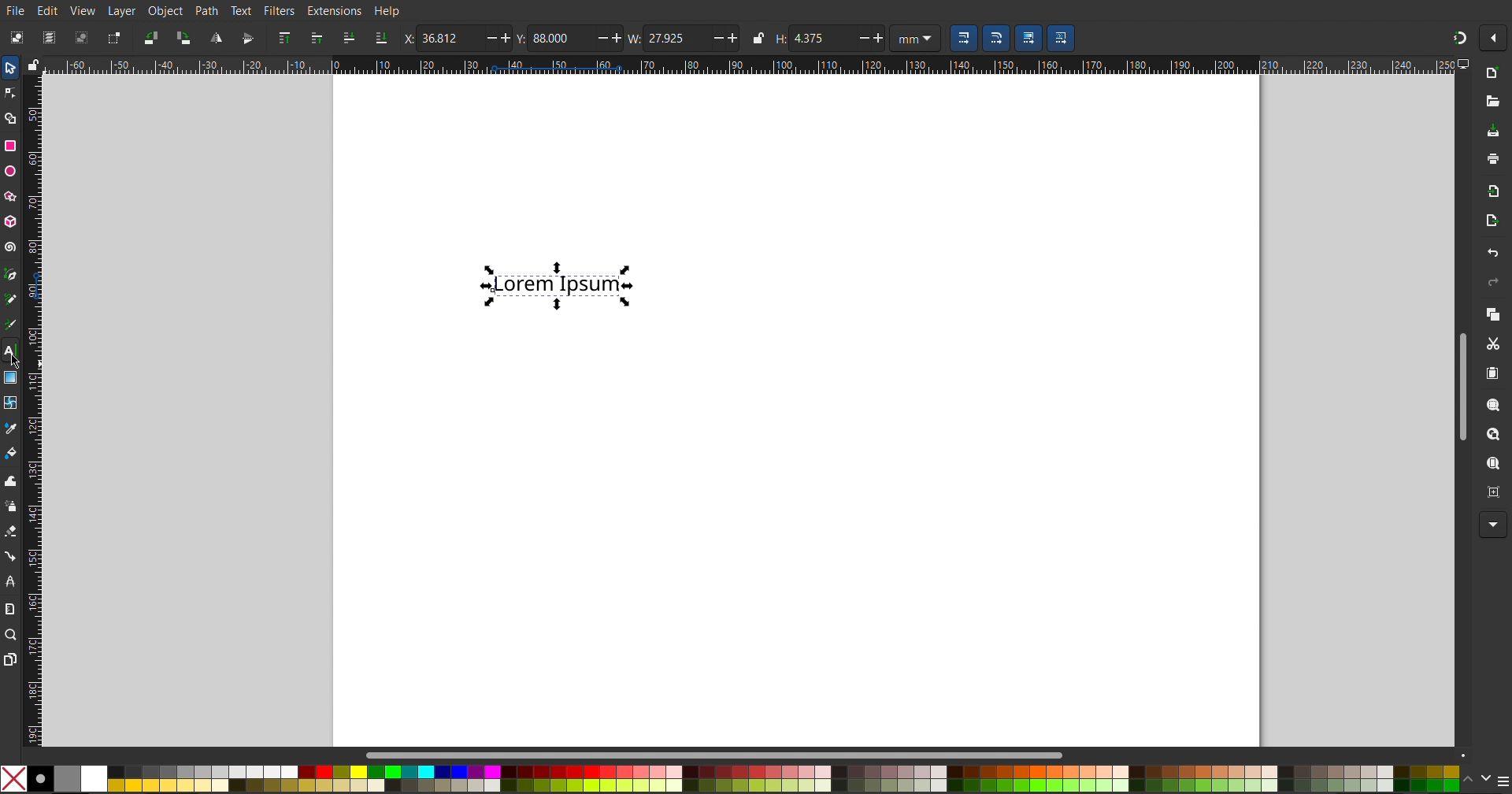  Describe the element at coordinates (336, 11) in the screenshot. I see `Extensions` at that location.